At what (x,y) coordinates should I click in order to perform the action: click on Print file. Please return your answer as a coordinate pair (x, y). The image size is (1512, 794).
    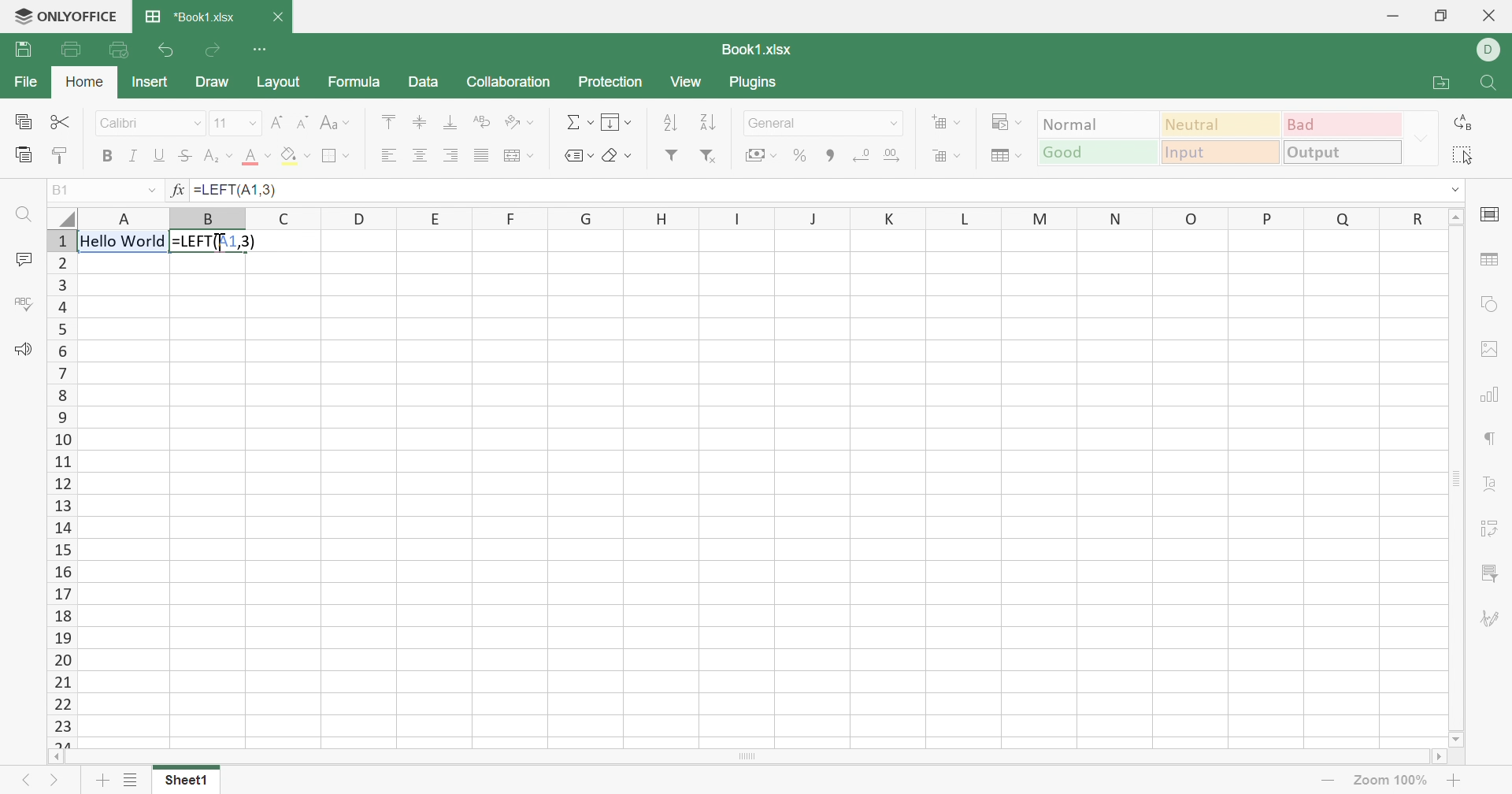
    Looking at the image, I should click on (69, 49).